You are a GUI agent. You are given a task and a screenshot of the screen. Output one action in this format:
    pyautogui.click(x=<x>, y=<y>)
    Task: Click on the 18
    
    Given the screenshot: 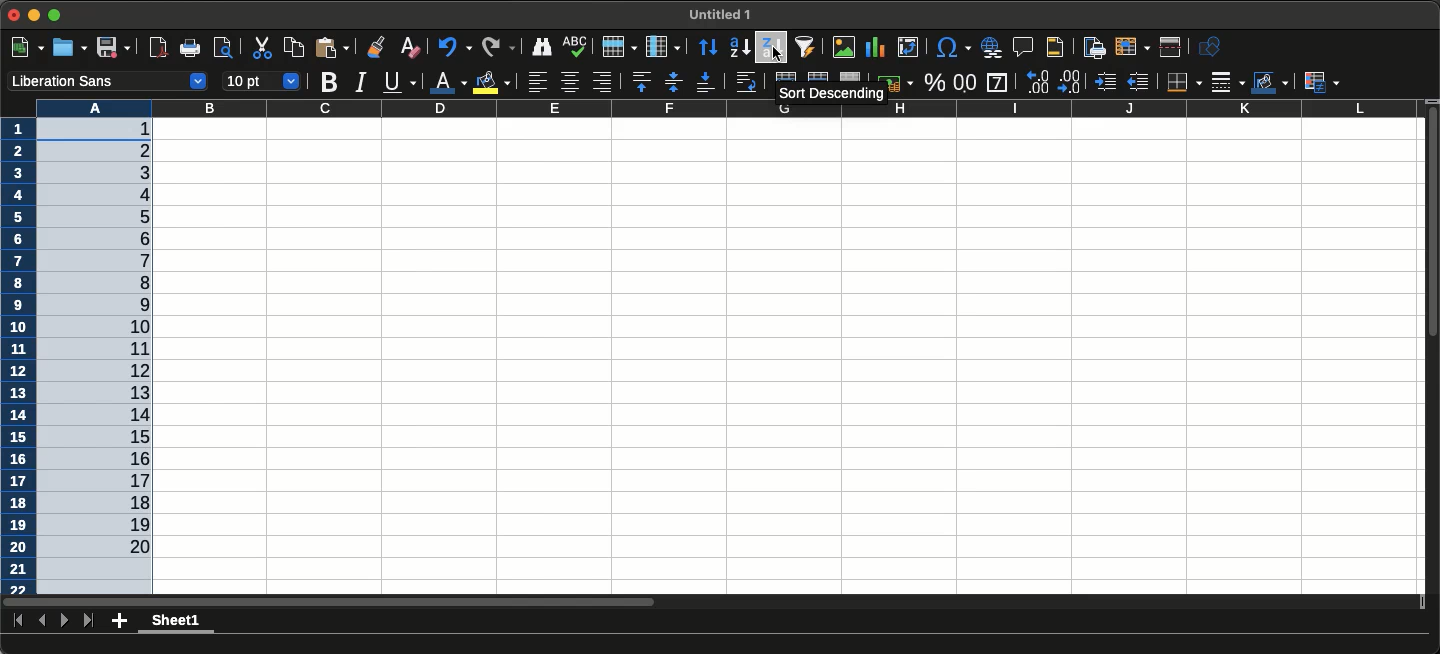 What is the action you would take?
    pyautogui.click(x=124, y=501)
    